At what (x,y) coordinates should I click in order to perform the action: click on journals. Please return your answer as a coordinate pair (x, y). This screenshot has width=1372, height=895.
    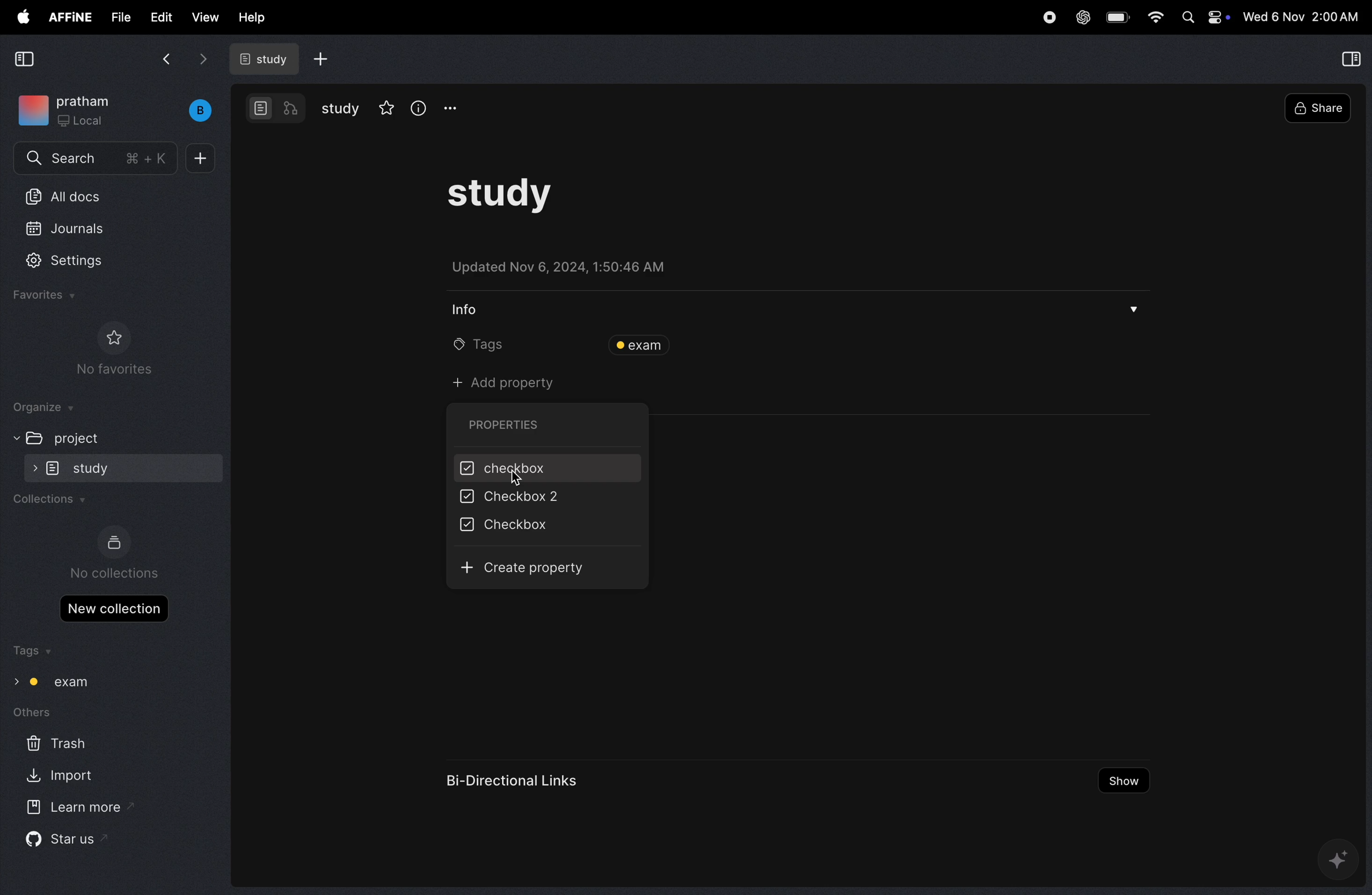
    Looking at the image, I should click on (89, 228).